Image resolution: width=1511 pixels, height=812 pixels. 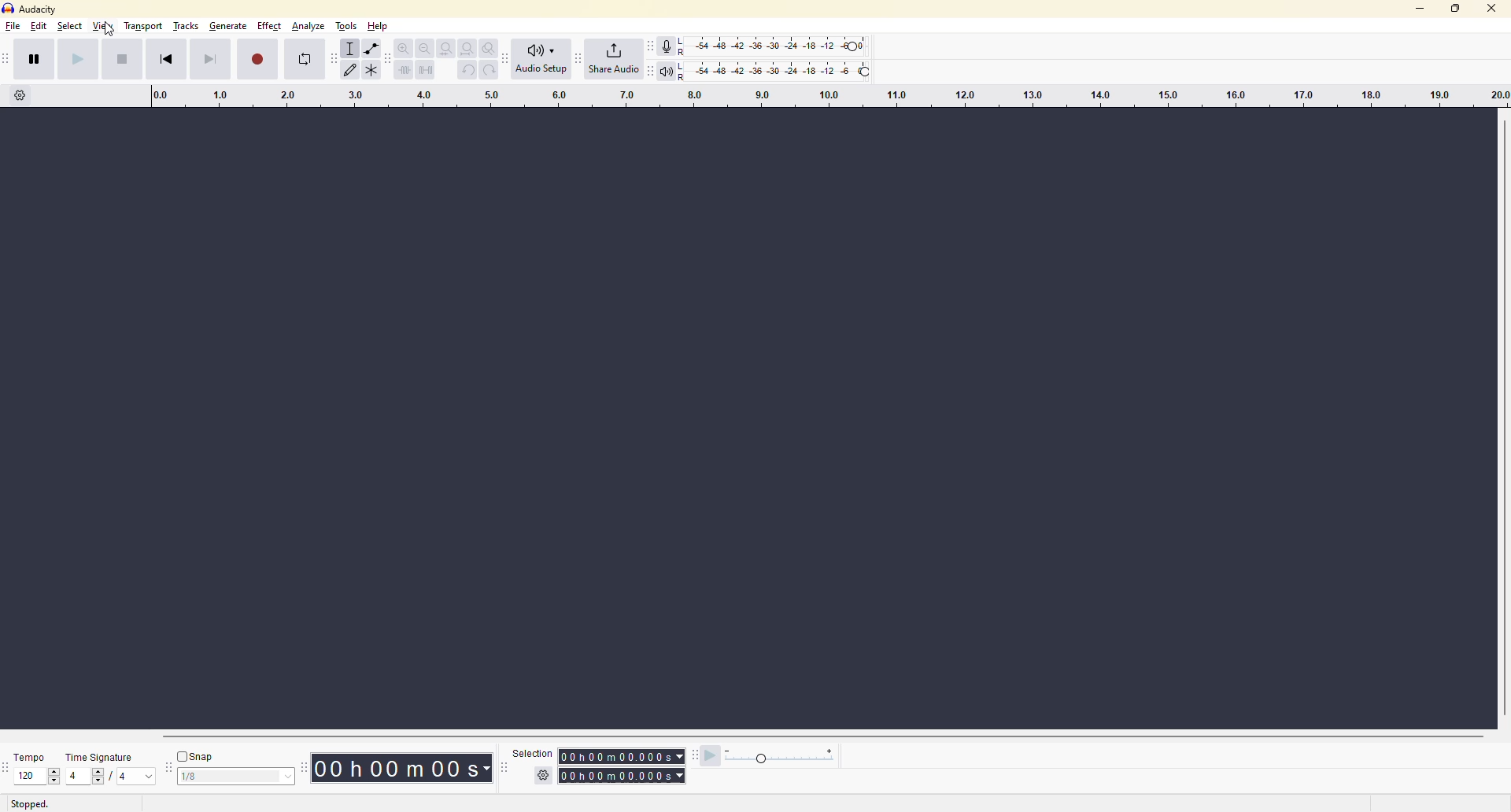 I want to click on zoom in, so click(x=405, y=49).